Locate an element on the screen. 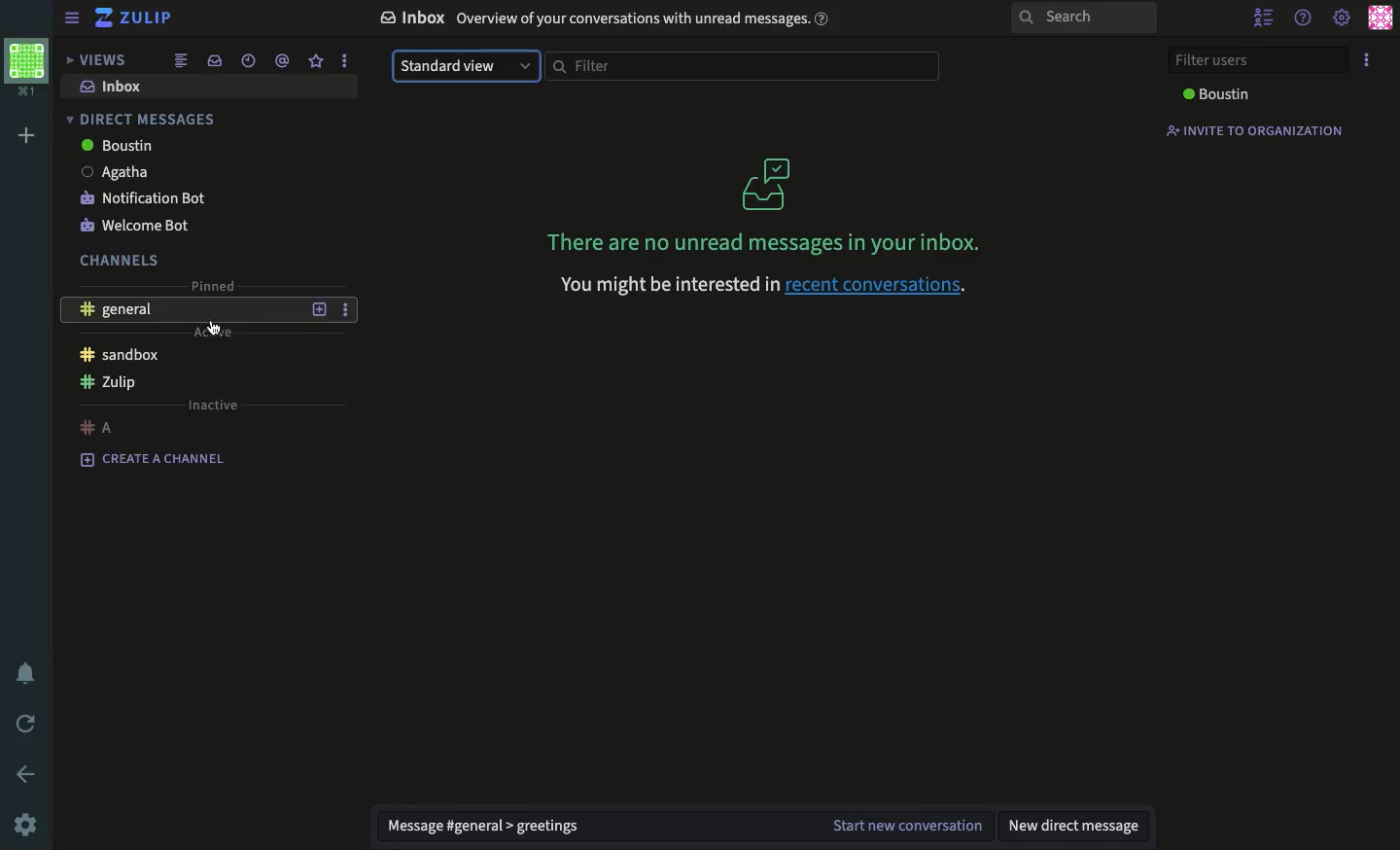 This screenshot has width=1400, height=850. notification is located at coordinates (30, 674).